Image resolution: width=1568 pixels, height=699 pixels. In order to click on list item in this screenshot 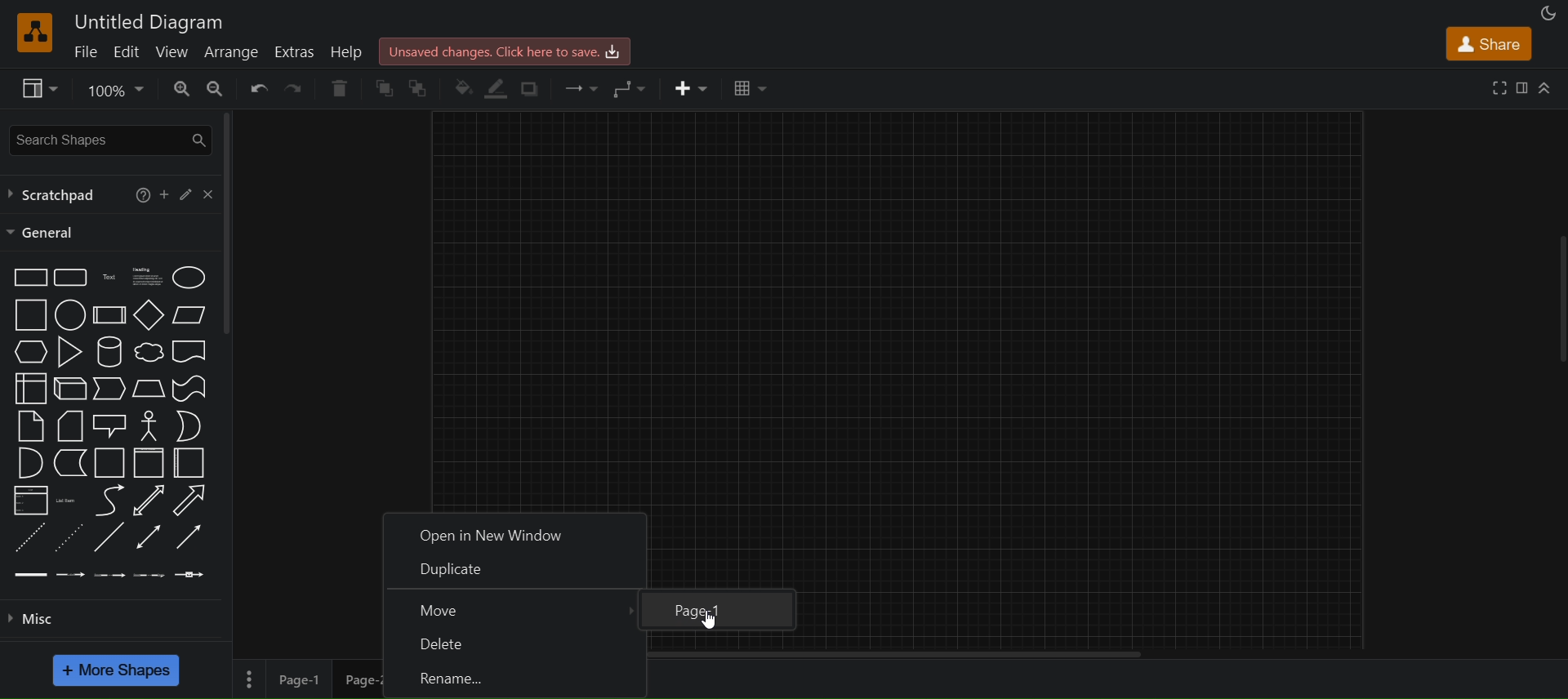, I will do `click(67, 501)`.